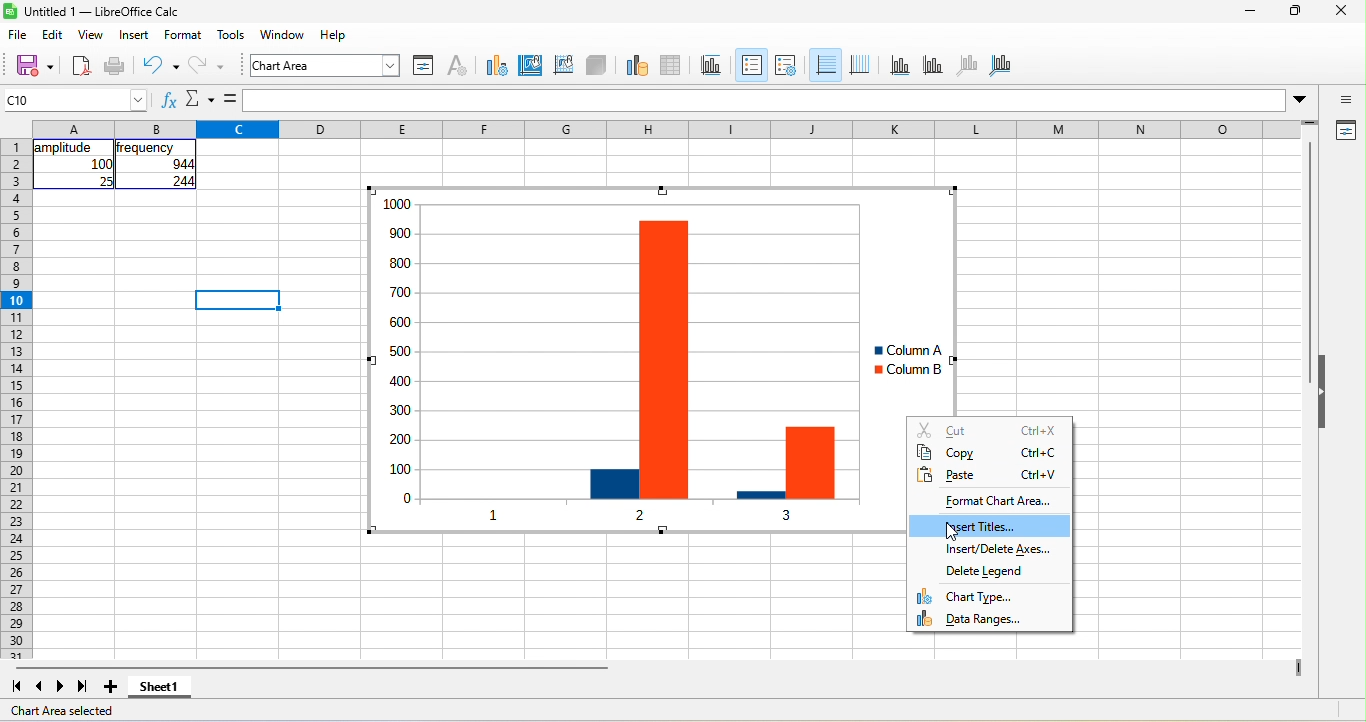  Describe the element at coordinates (952, 532) in the screenshot. I see `cursor` at that location.